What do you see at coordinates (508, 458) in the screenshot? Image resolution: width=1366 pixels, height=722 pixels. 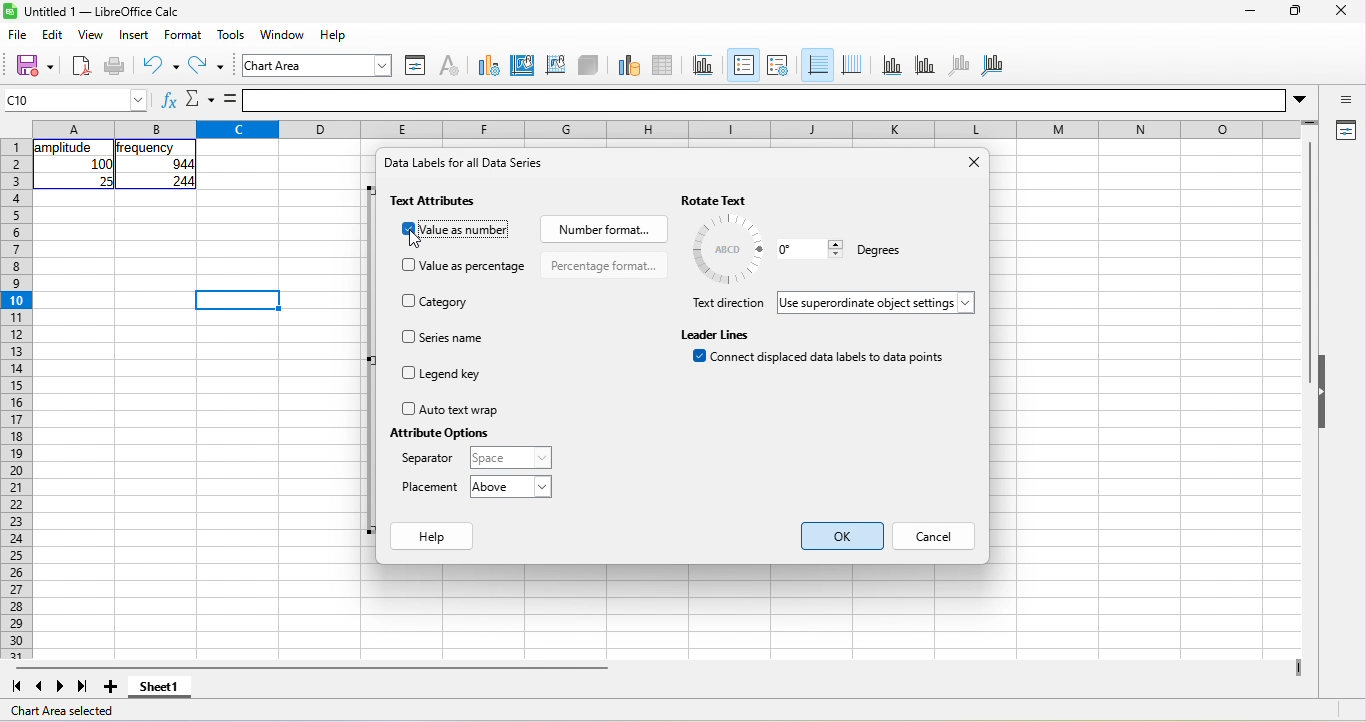 I see `space` at bounding box center [508, 458].